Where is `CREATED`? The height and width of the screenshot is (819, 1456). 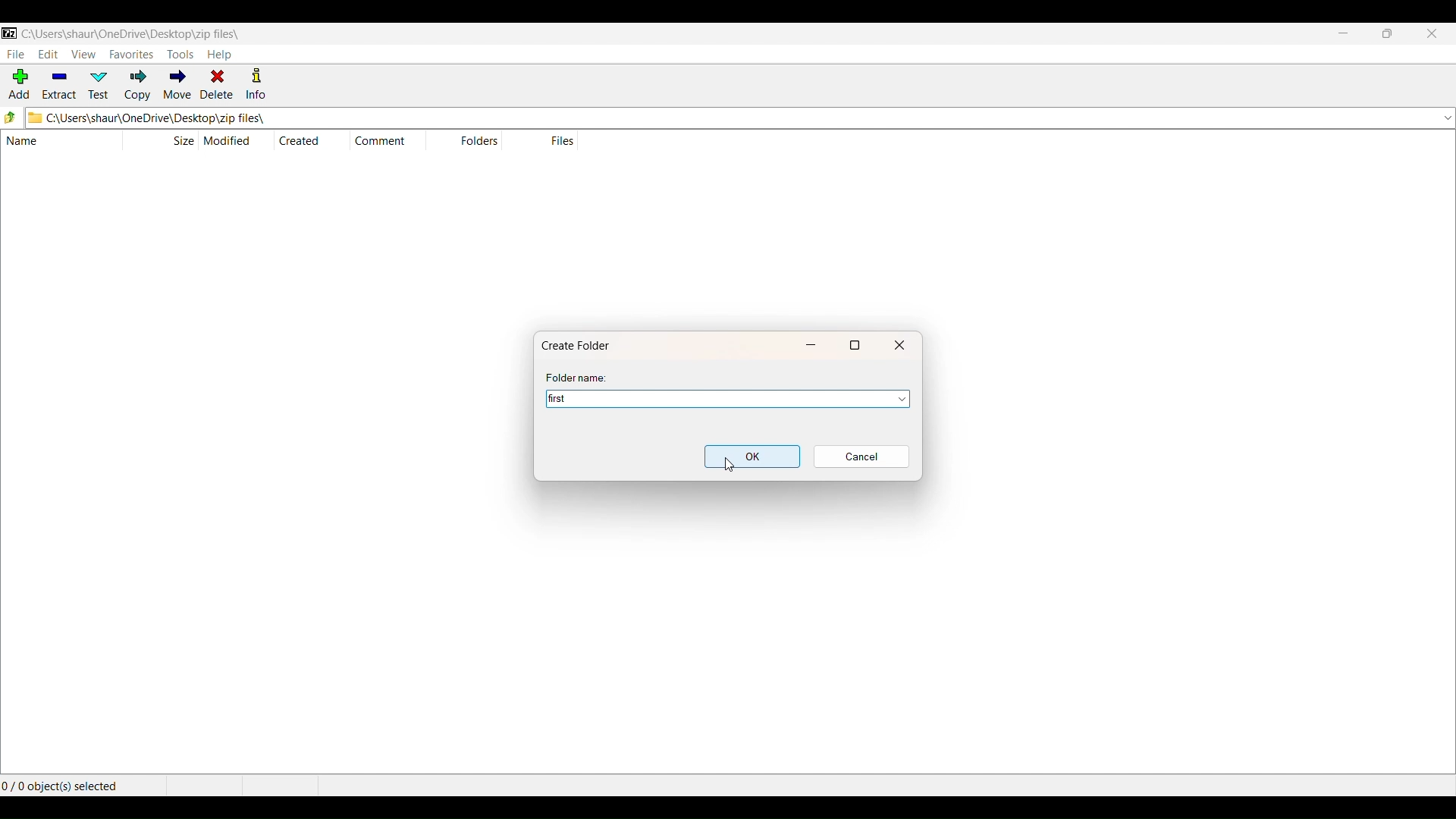
CREATED is located at coordinates (300, 140).